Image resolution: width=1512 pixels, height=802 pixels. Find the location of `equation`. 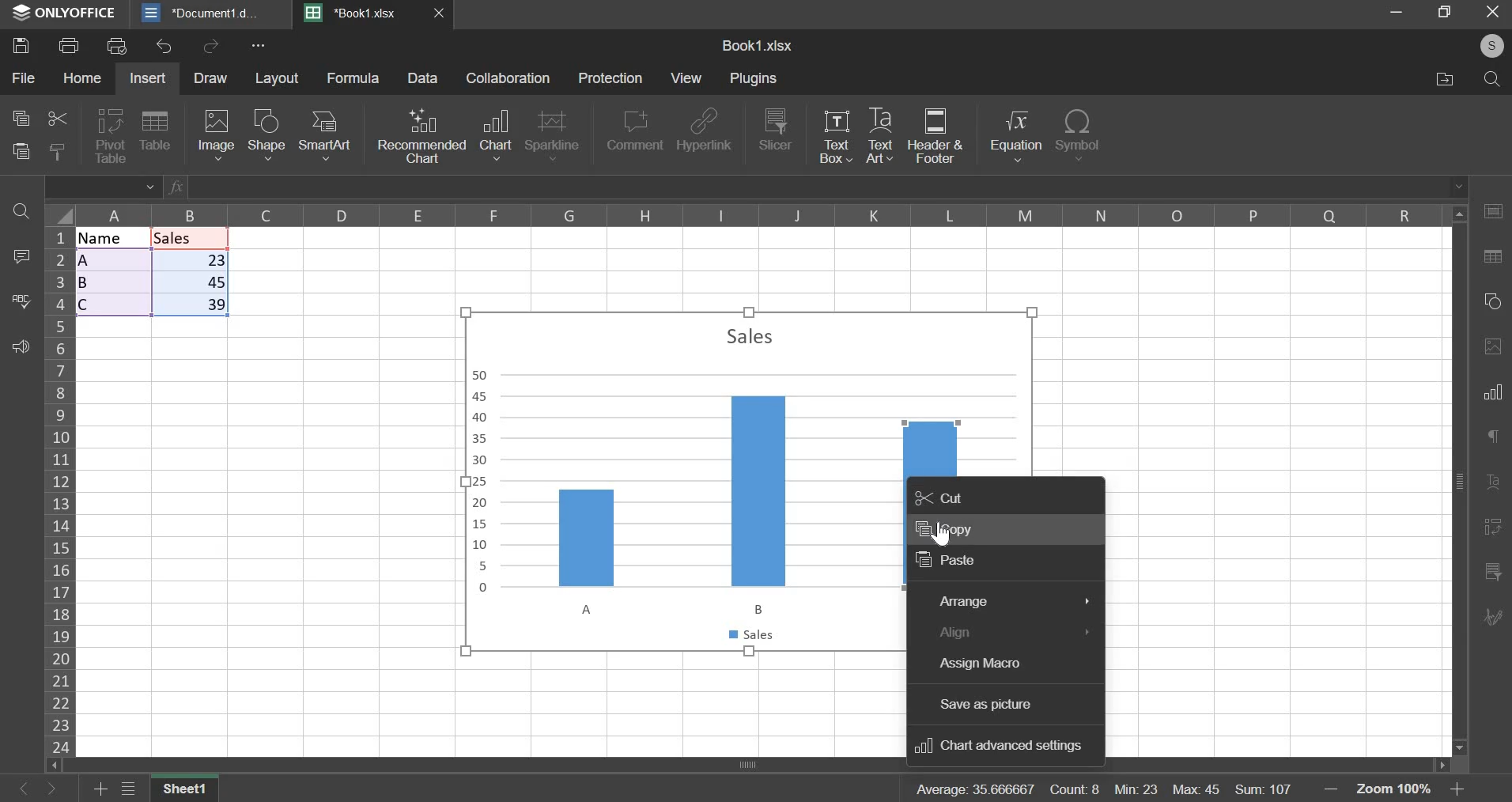

equation is located at coordinates (1016, 136).